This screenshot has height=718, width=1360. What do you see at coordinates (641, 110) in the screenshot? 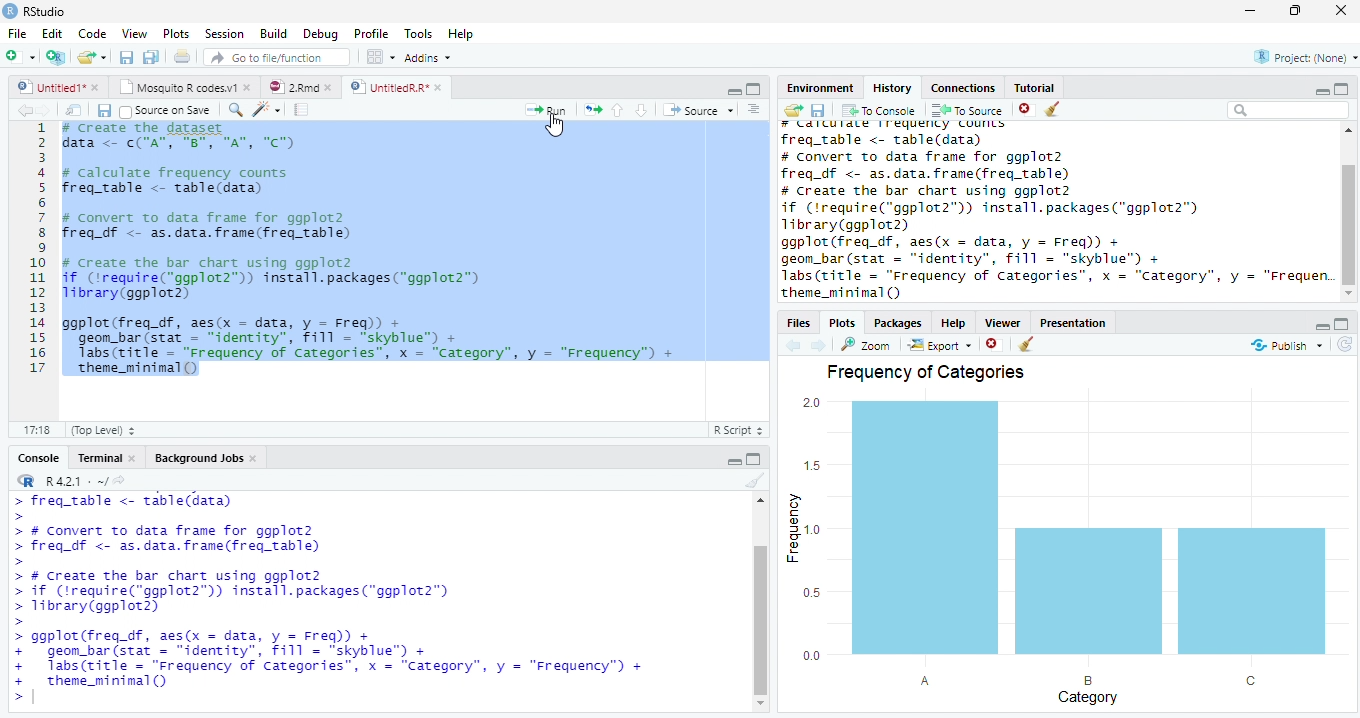
I see `Go to the next section` at bounding box center [641, 110].